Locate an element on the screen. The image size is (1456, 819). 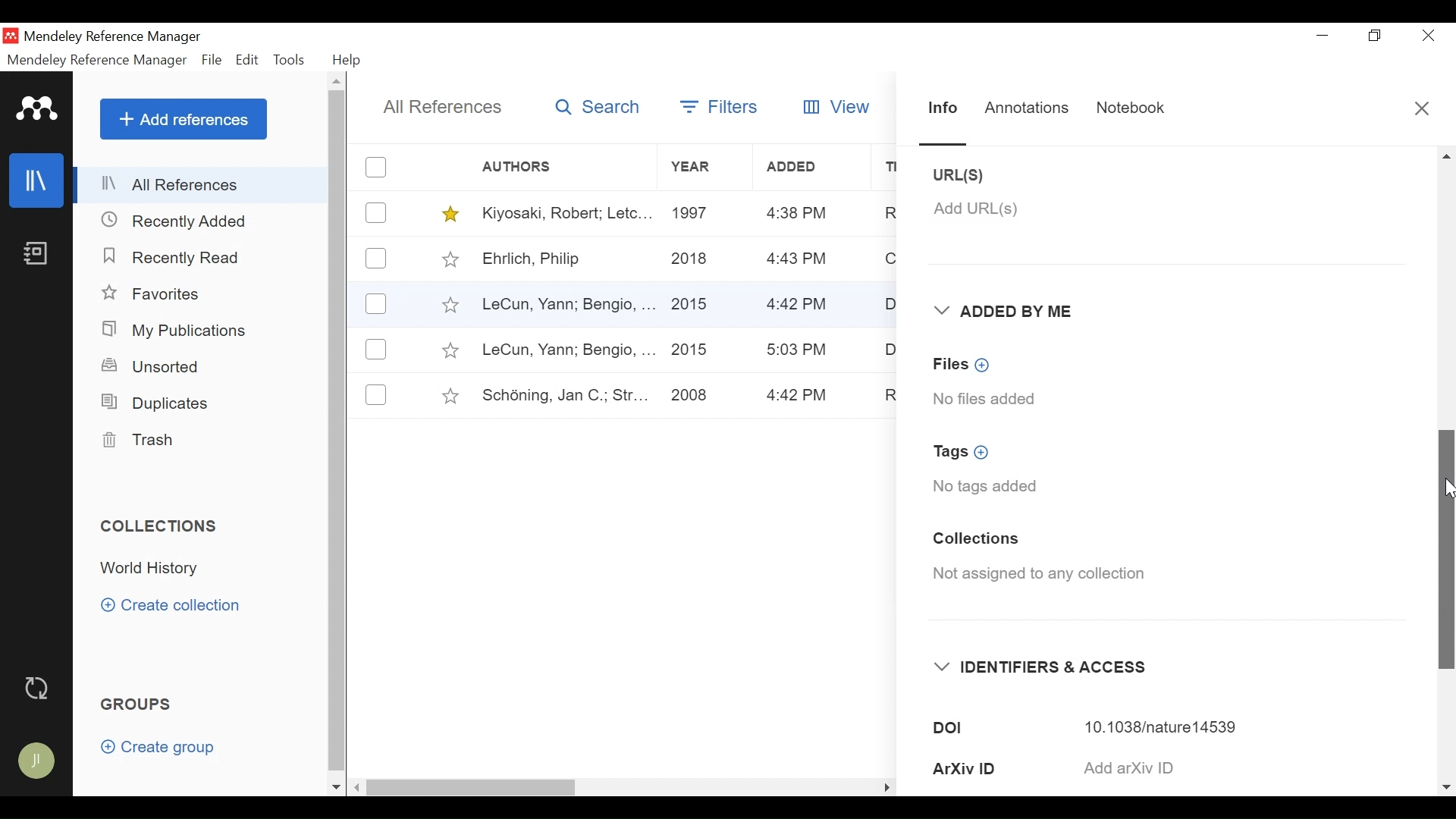
LeCun, Yann; Bengio is located at coordinates (567, 350).